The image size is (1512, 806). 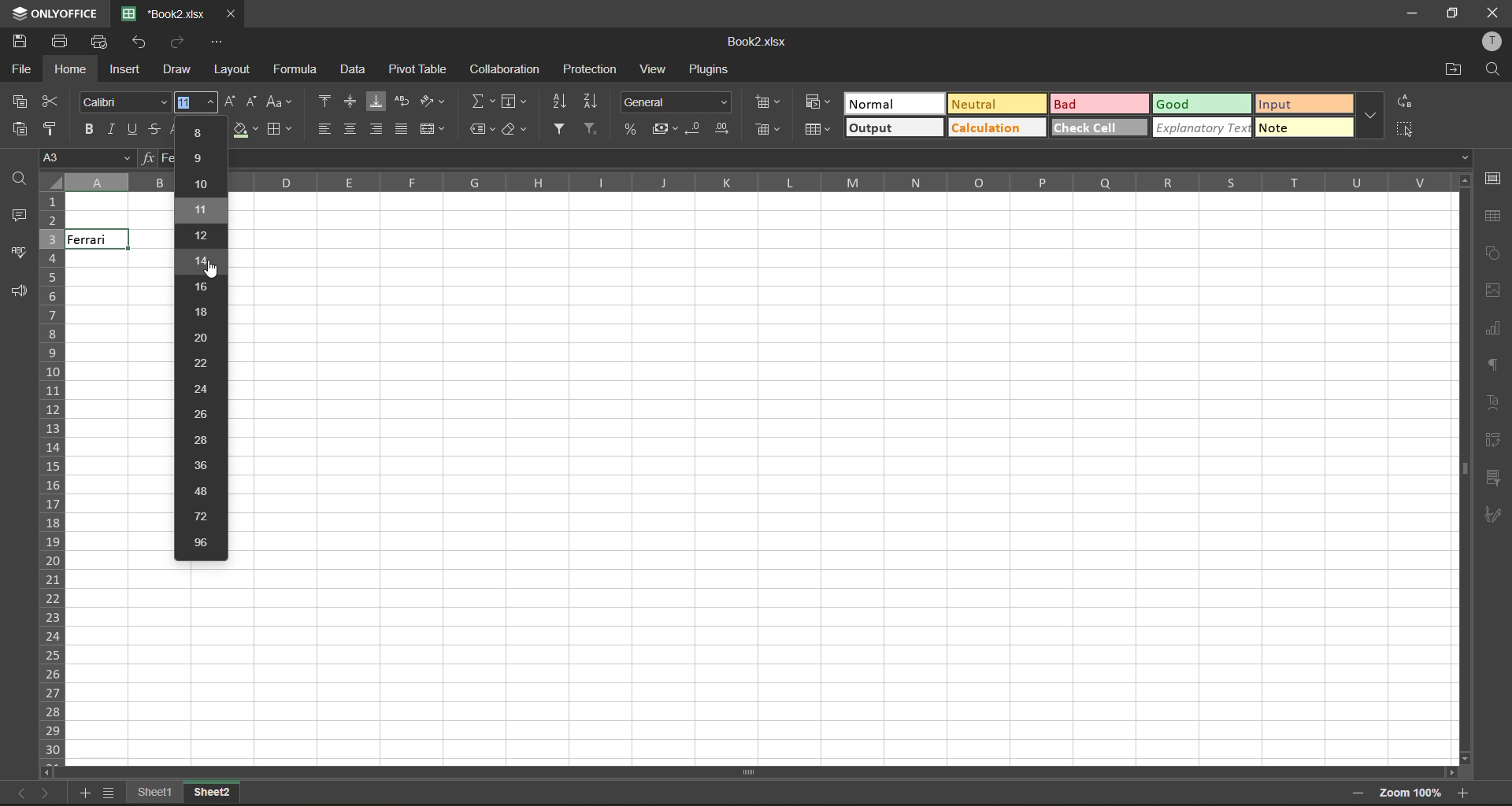 What do you see at coordinates (52, 100) in the screenshot?
I see `cut` at bounding box center [52, 100].